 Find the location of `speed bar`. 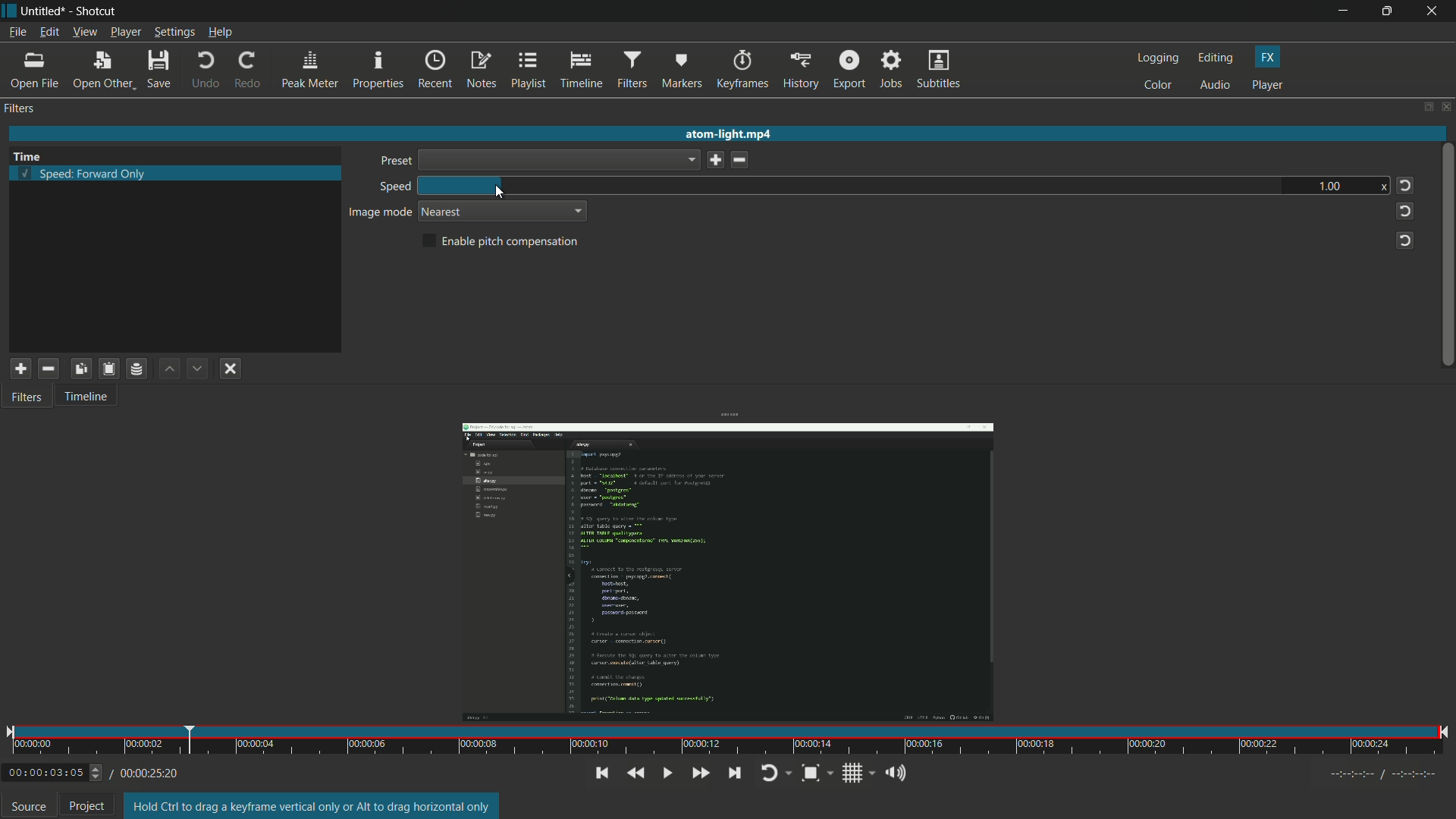

speed bar is located at coordinates (849, 184).